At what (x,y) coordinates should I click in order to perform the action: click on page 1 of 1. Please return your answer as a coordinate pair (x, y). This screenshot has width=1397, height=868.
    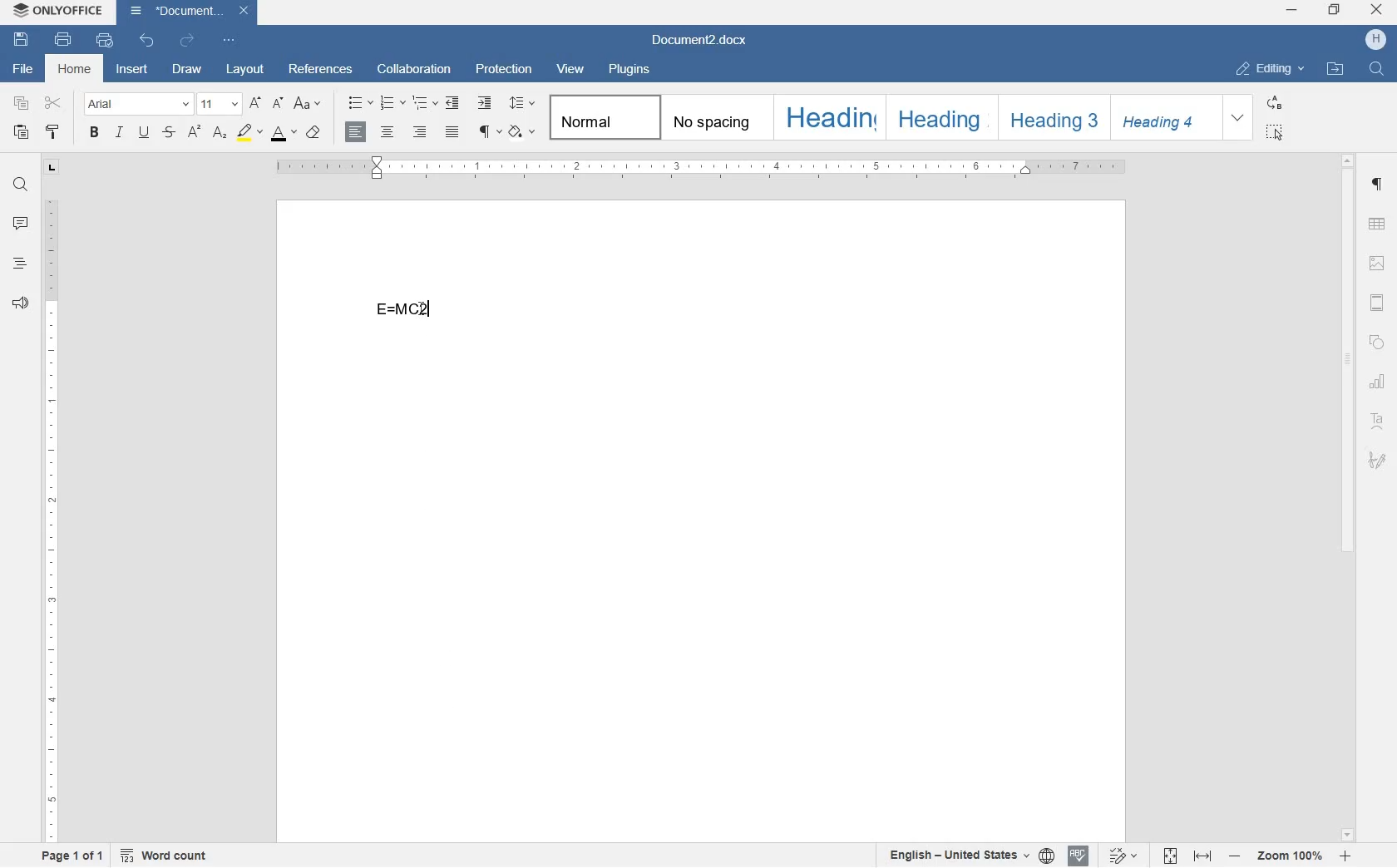
    Looking at the image, I should click on (76, 858).